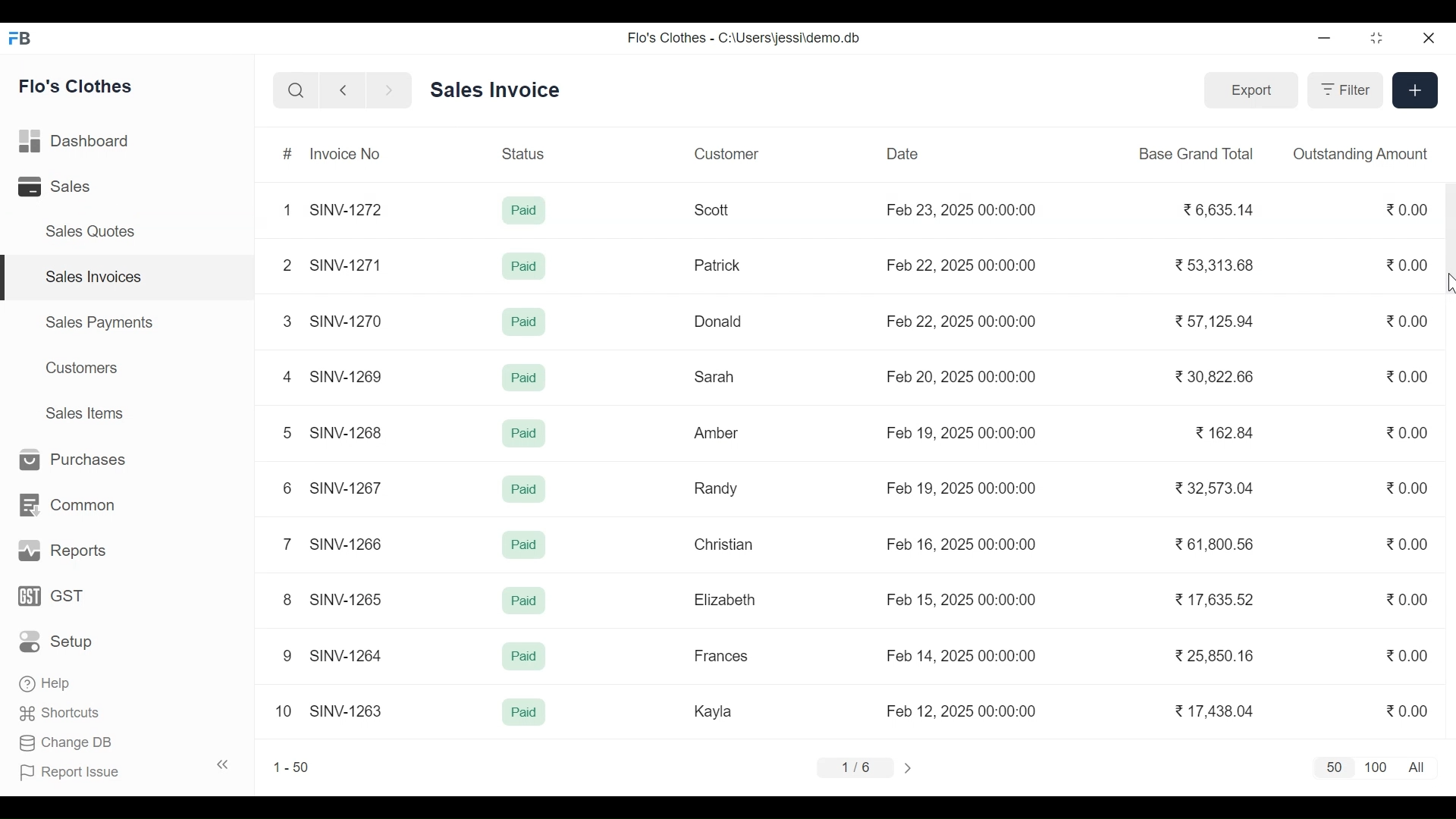 This screenshot has width=1456, height=819. What do you see at coordinates (76, 143) in the screenshot?
I see `Dashboard` at bounding box center [76, 143].